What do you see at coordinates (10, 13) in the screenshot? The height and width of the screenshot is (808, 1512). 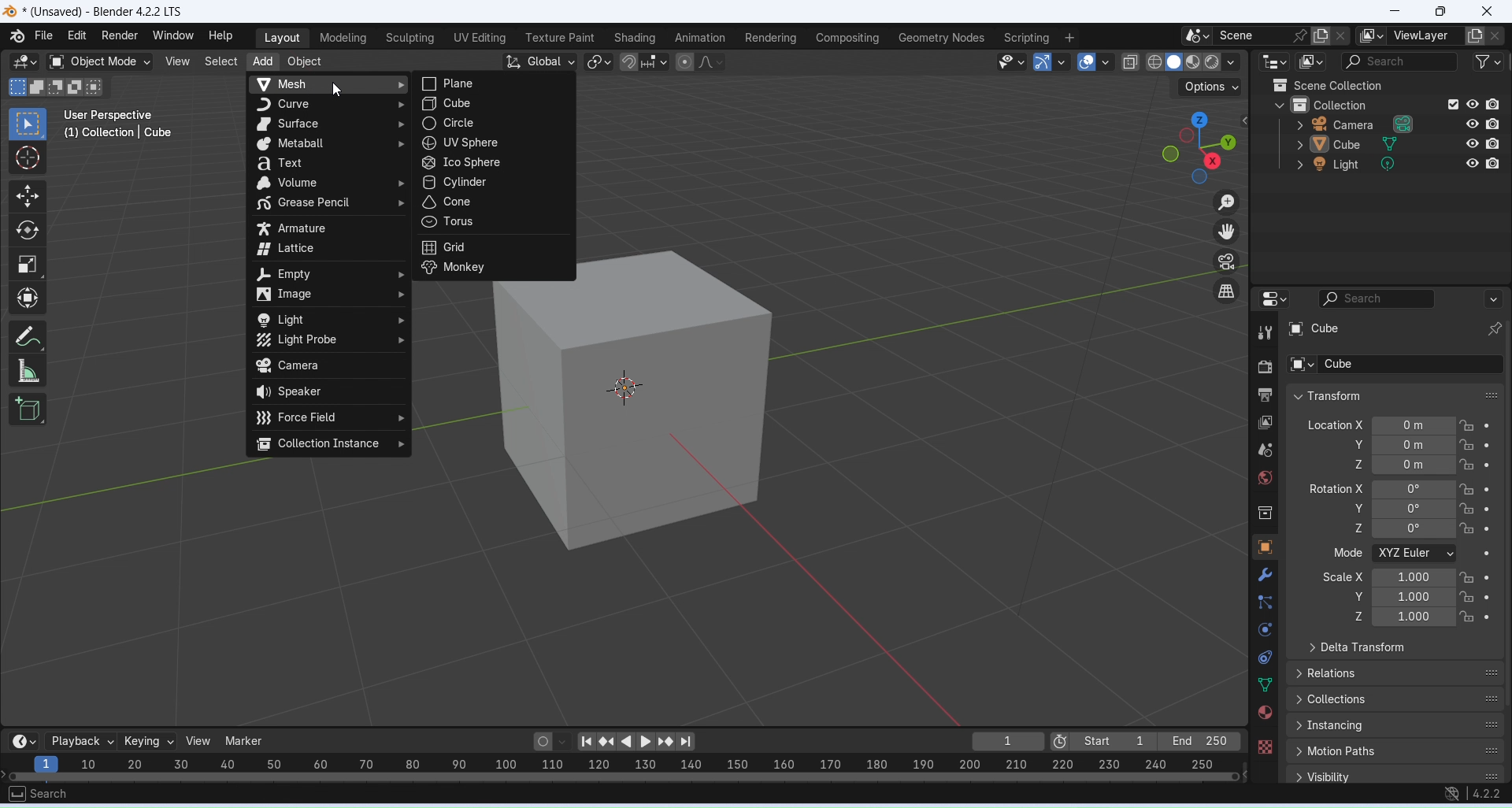 I see `logo` at bounding box center [10, 13].